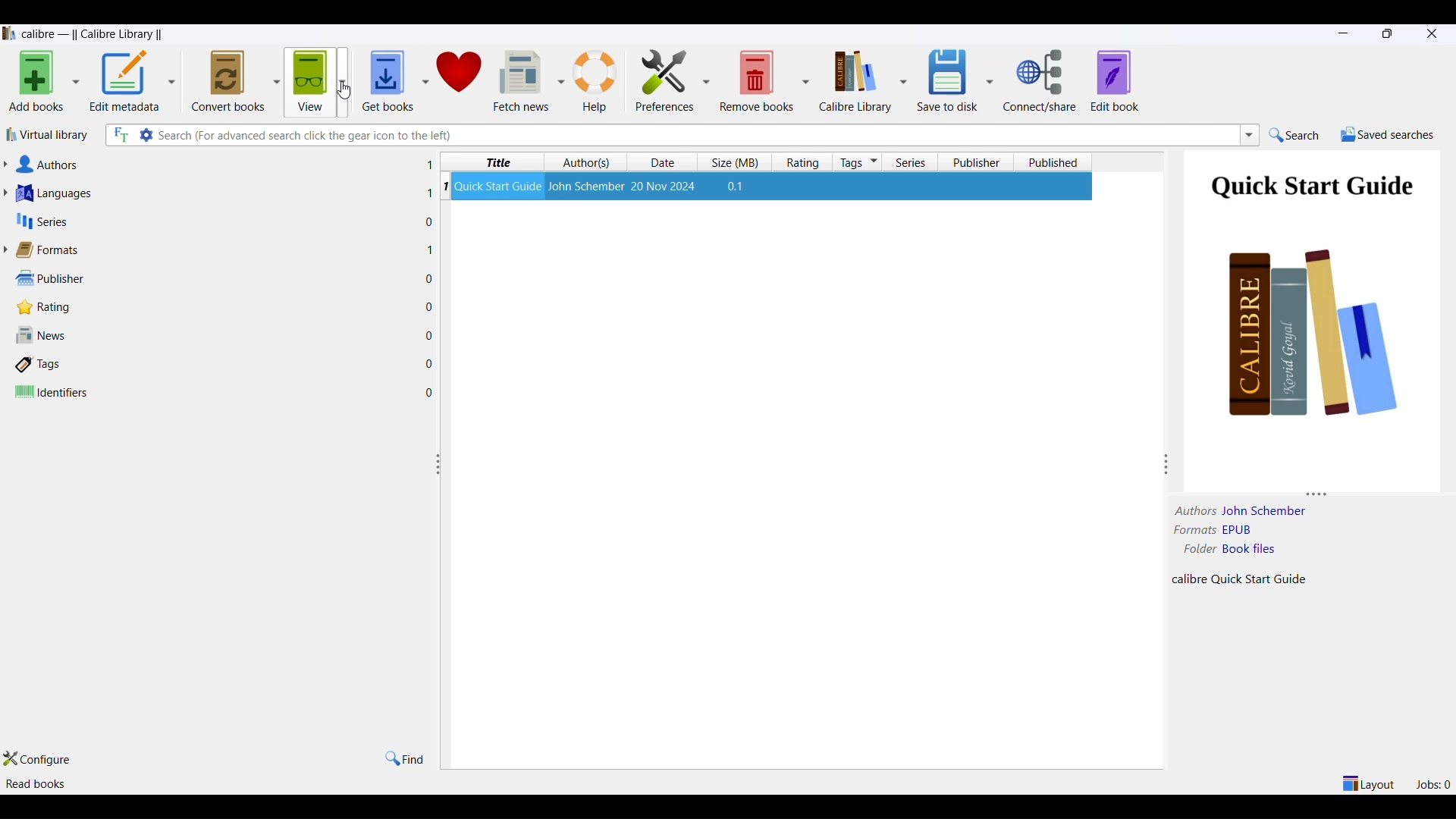 This screenshot has width=1456, height=819. I want to click on edit metadata options dropdown button, so click(174, 80).